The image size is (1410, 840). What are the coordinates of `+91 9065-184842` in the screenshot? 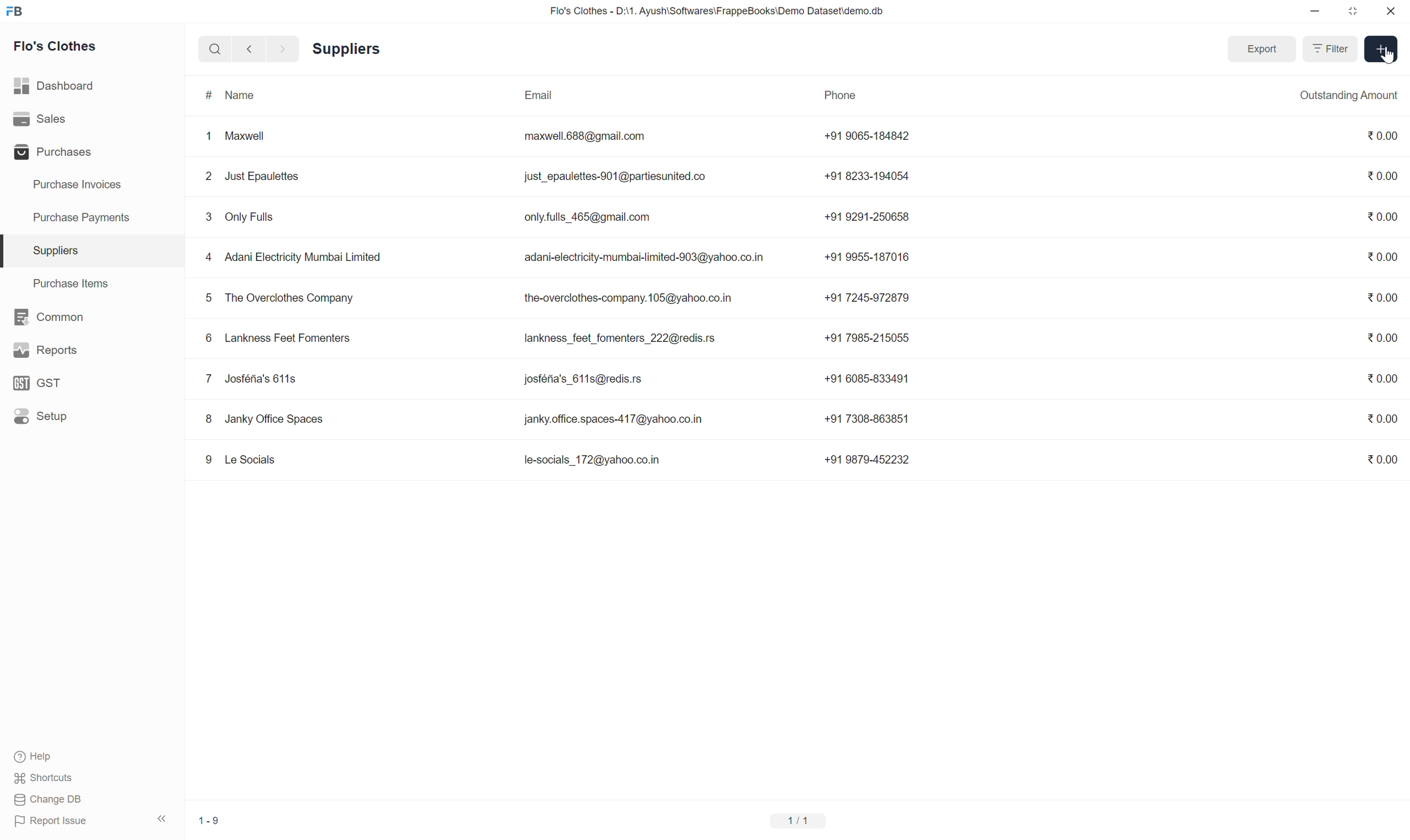 It's located at (868, 136).